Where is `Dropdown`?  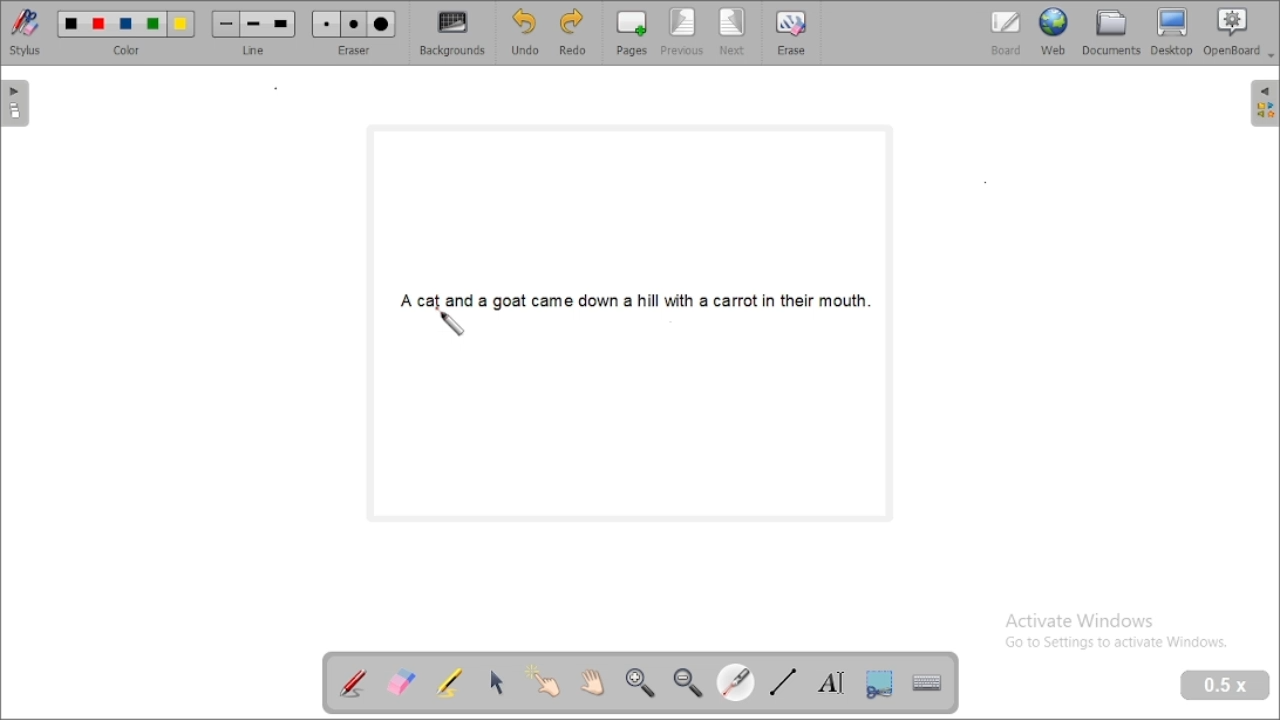
Dropdown is located at coordinates (1272, 56).